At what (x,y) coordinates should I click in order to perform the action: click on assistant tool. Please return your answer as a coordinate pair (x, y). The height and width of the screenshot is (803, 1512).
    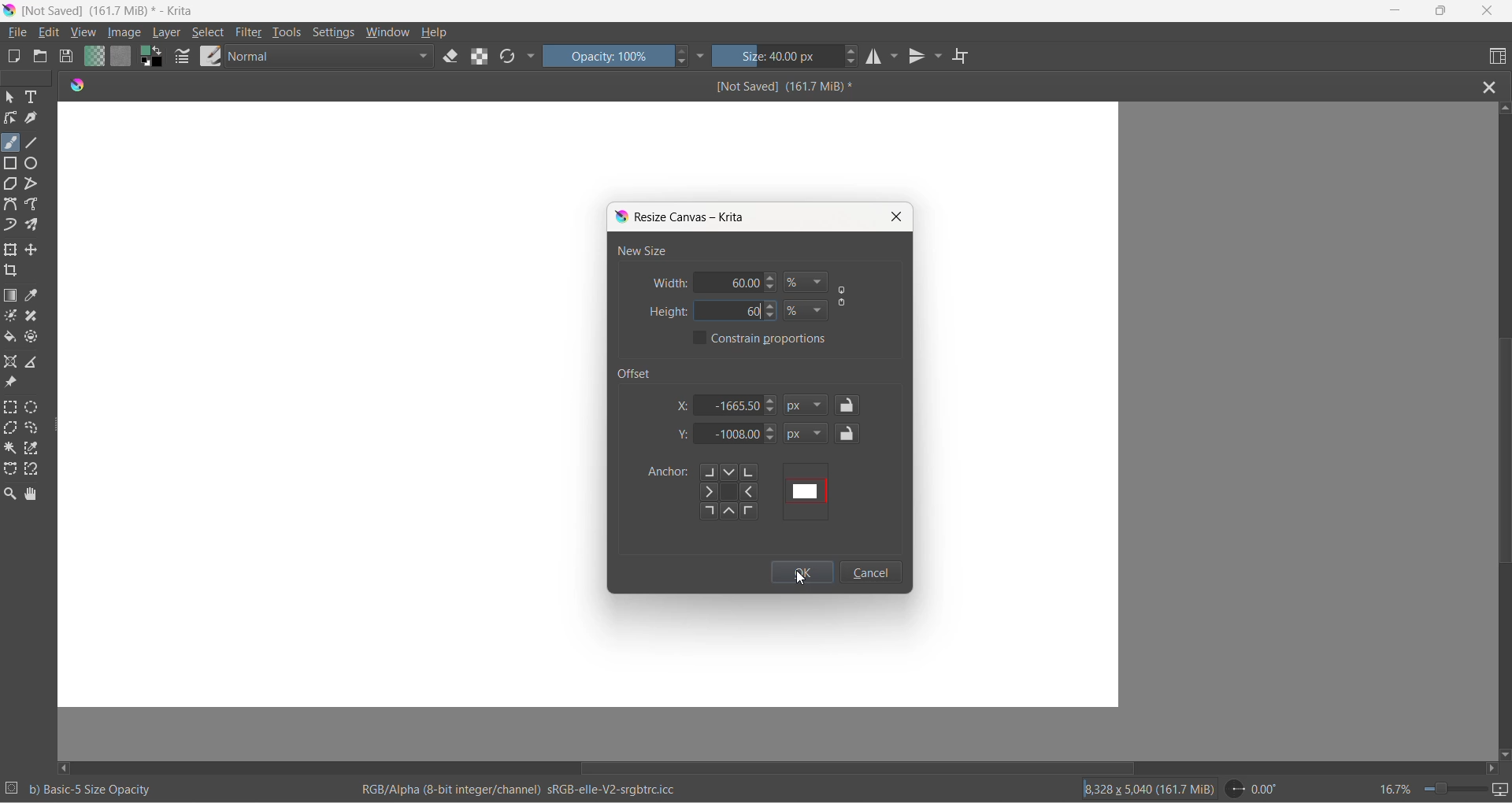
    Looking at the image, I should click on (13, 363).